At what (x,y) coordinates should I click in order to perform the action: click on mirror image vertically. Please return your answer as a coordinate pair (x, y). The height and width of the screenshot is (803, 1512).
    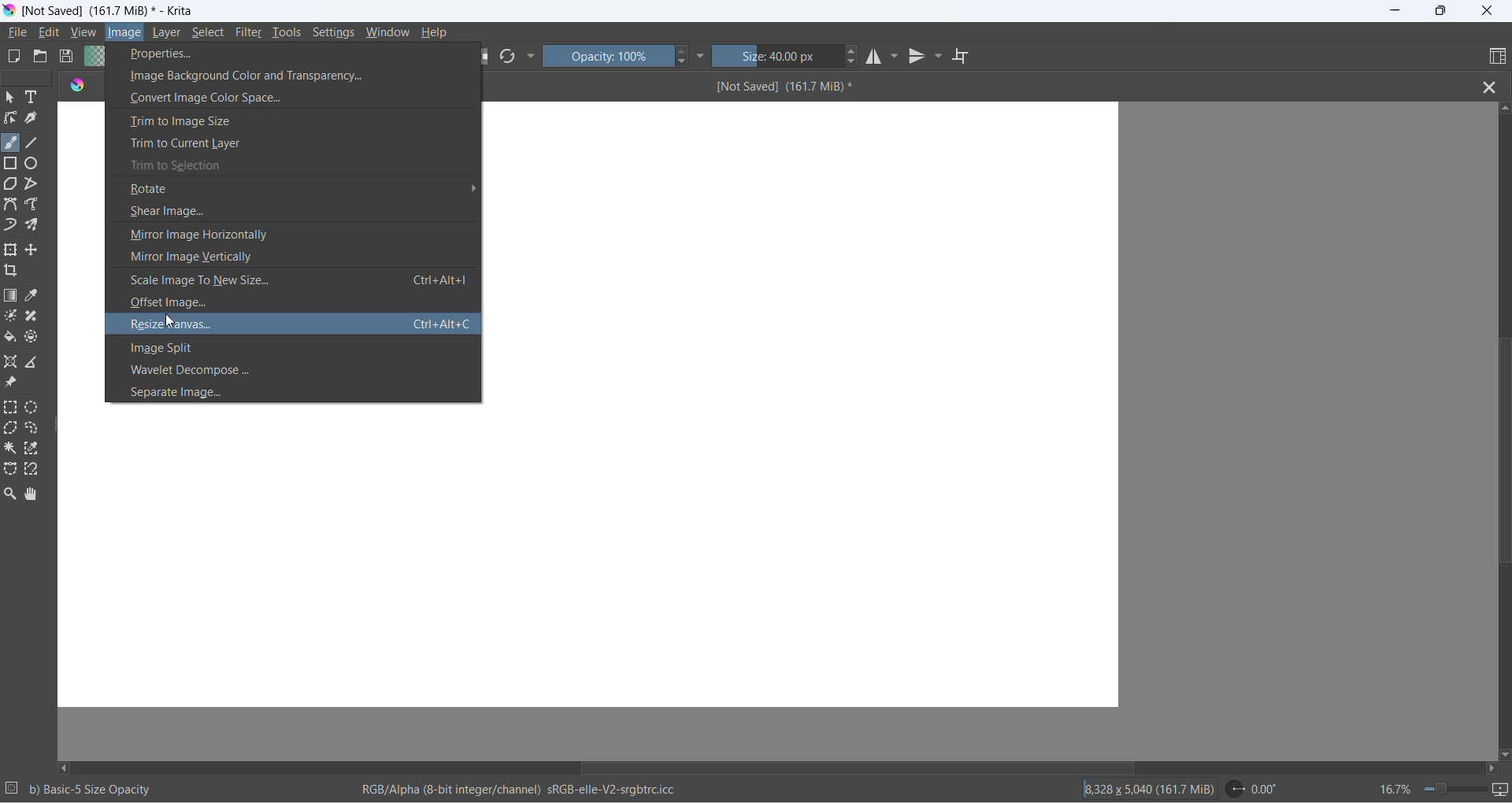
    Looking at the image, I should click on (289, 257).